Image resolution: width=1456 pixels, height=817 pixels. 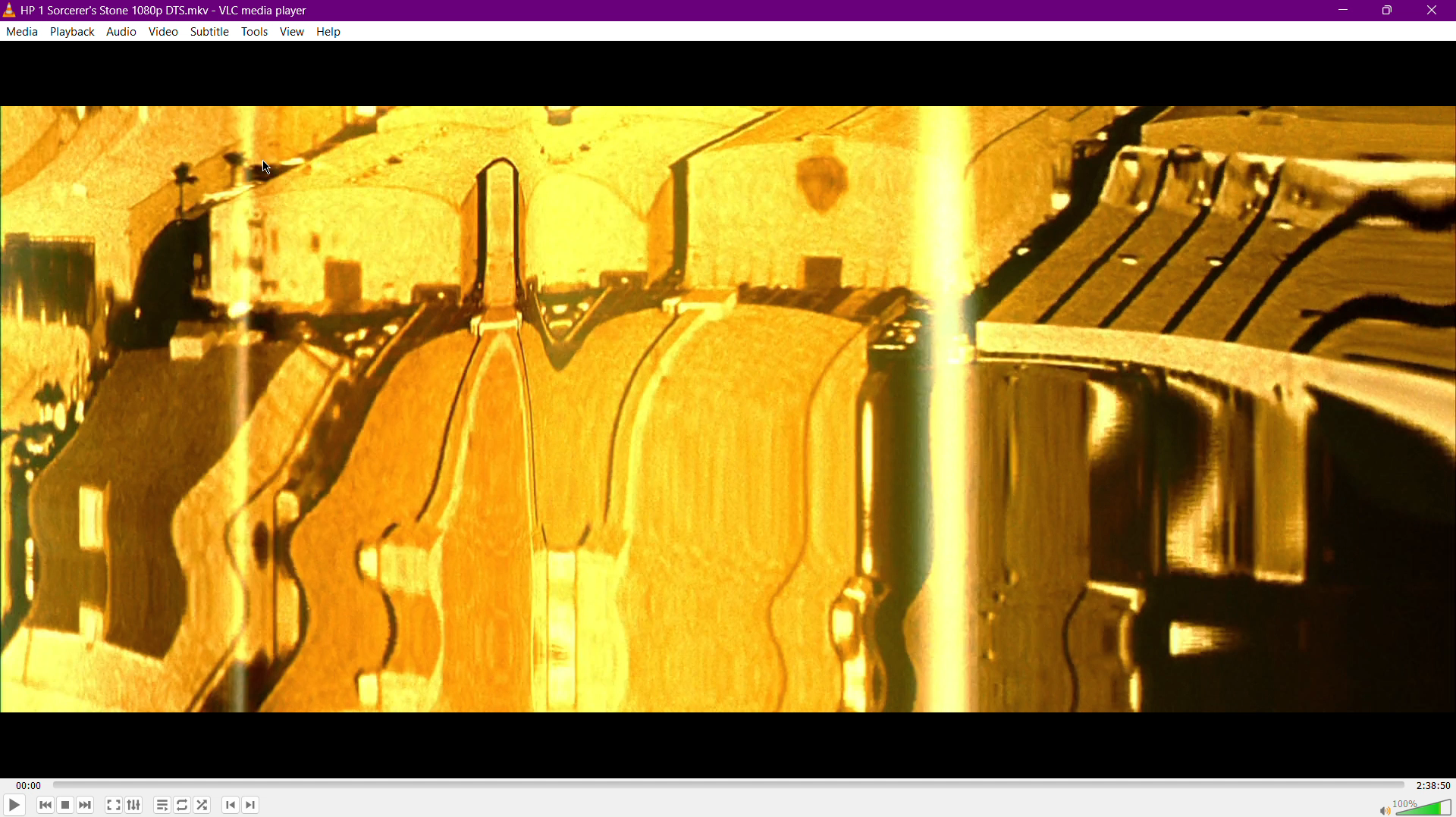 What do you see at coordinates (210, 30) in the screenshot?
I see `Subtitle` at bounding box center [210, 30].